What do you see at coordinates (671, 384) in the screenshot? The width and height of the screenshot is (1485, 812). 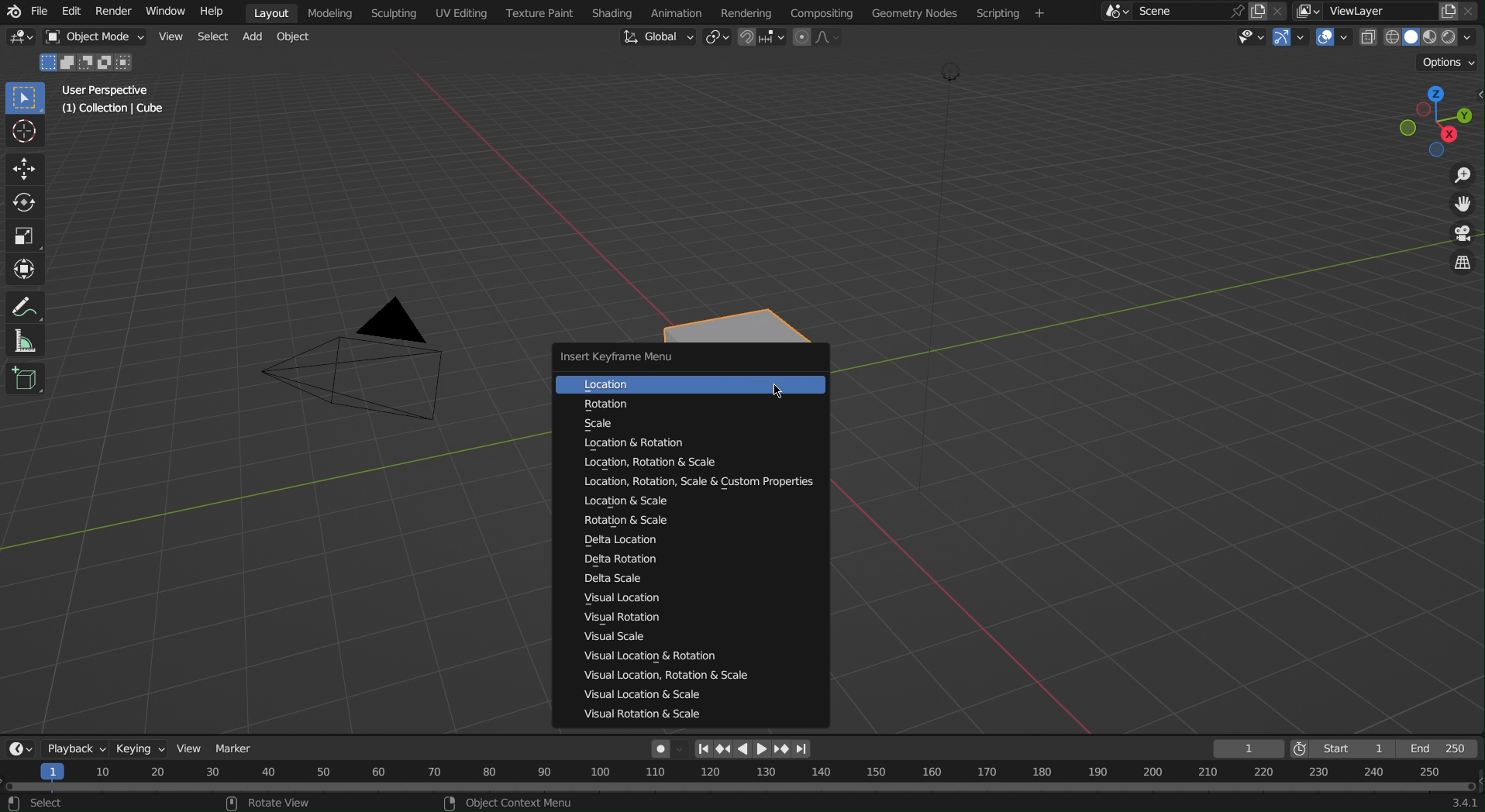 I see `Location` at bounding box center [671, 384].